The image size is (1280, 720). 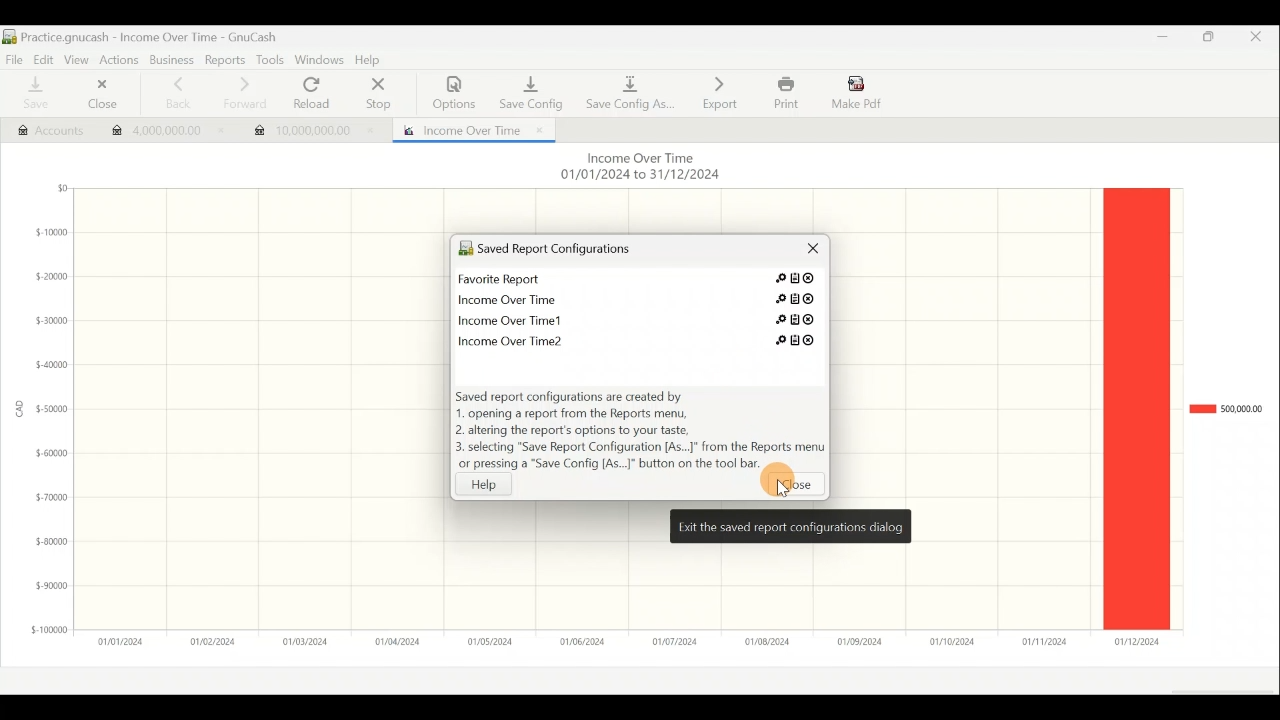 What do you see at coordinates (1156, 42) in the screenshot?
I see `Minimize` at bounding box center [1156, 42].